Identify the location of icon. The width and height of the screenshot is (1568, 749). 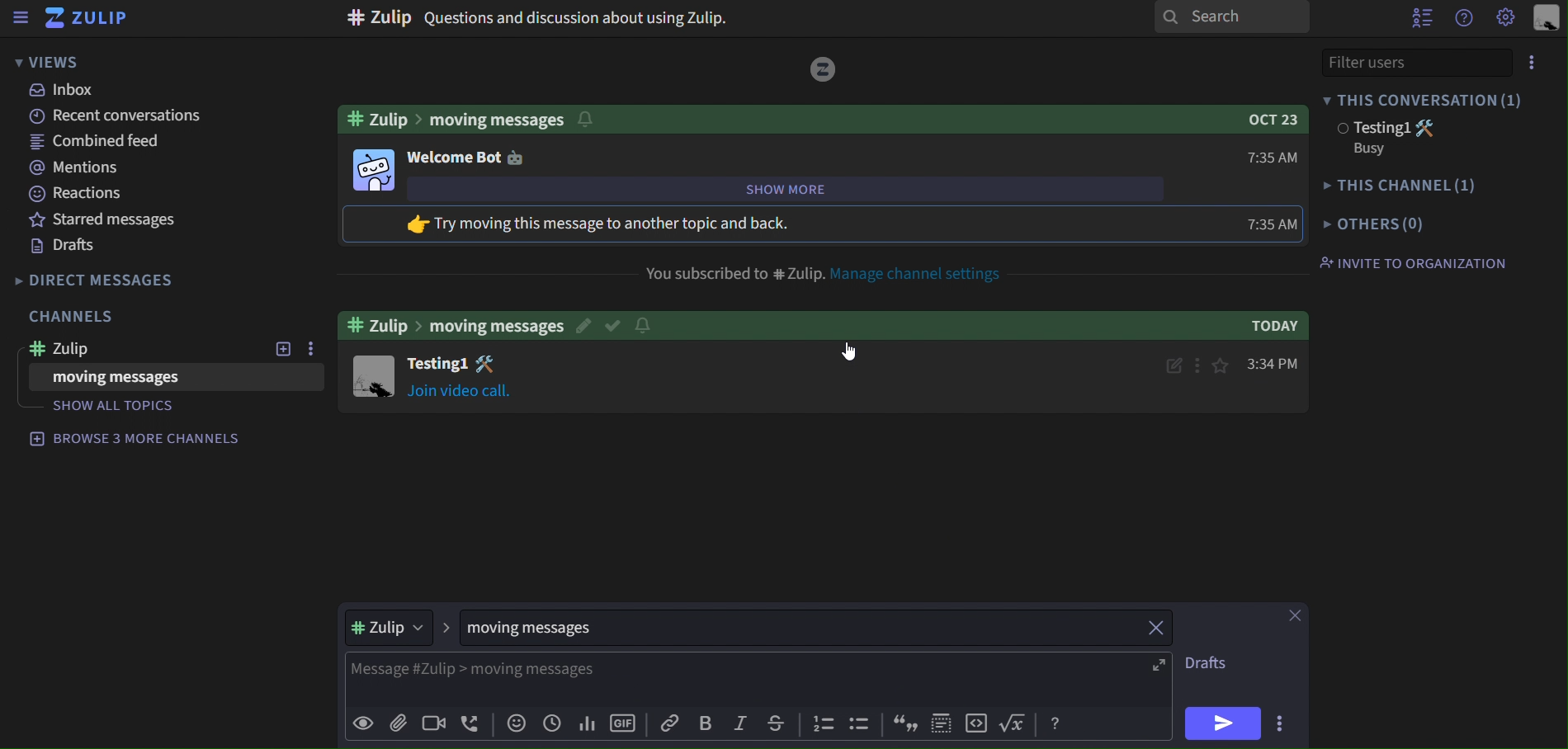
(857, 723).